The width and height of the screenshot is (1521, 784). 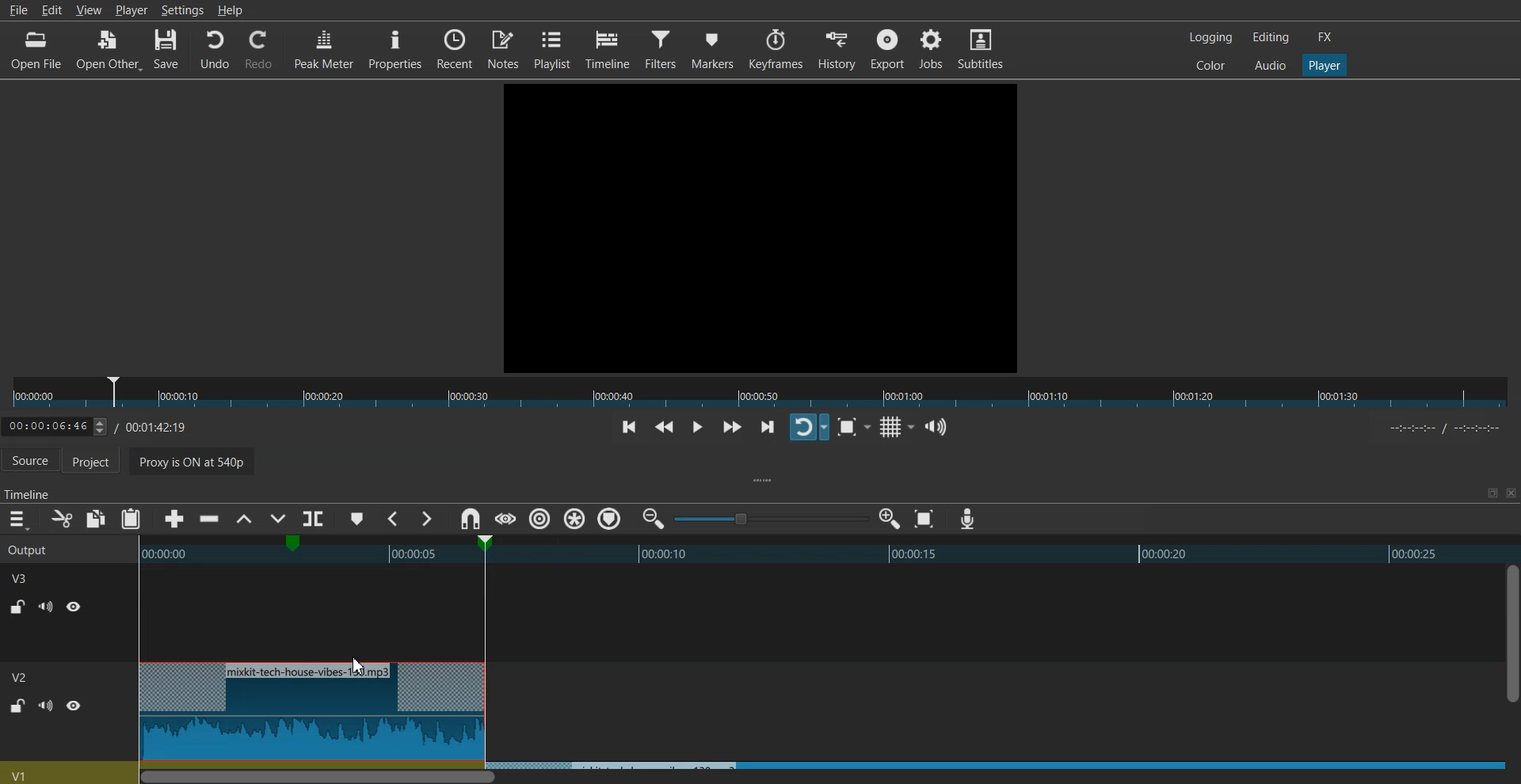 What do you see at coordinates (74, 706) in the screenshot?
I see `Hide` at bounding box center [74, 706].